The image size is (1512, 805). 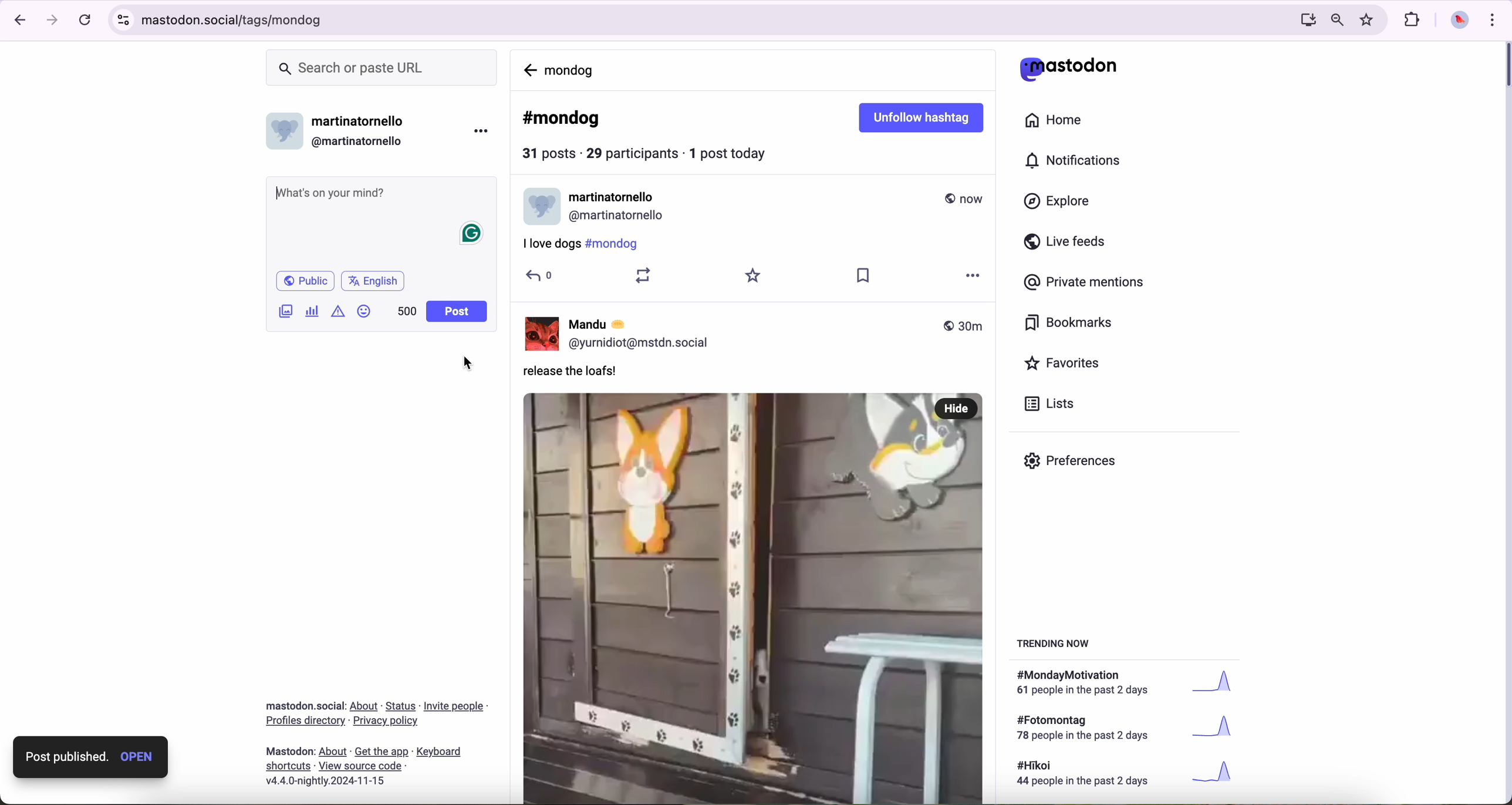 I want to click on favorites, so click(x=1368, y=19).